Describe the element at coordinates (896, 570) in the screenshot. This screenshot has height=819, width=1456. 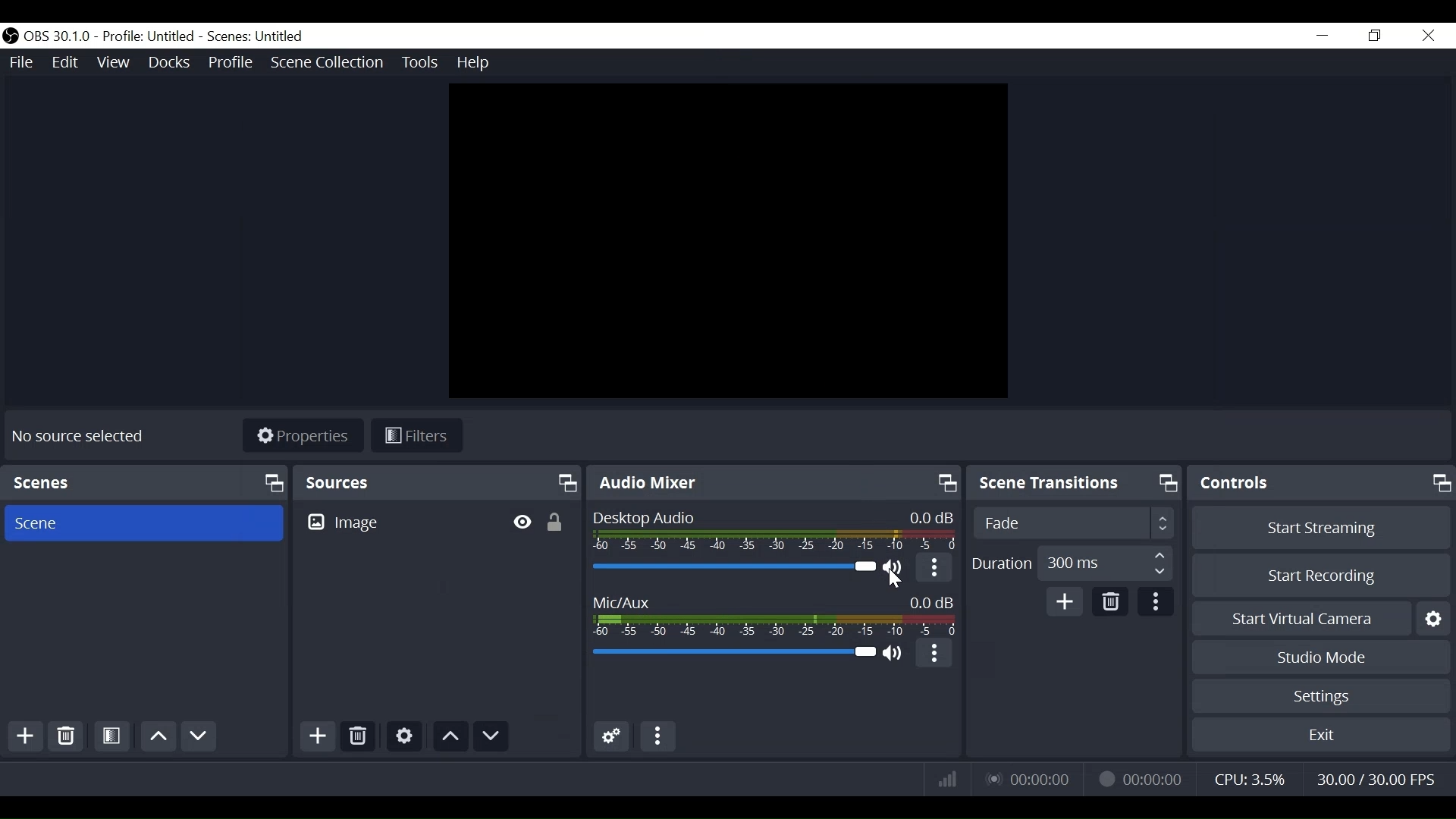
I see `Audio On` at that location.